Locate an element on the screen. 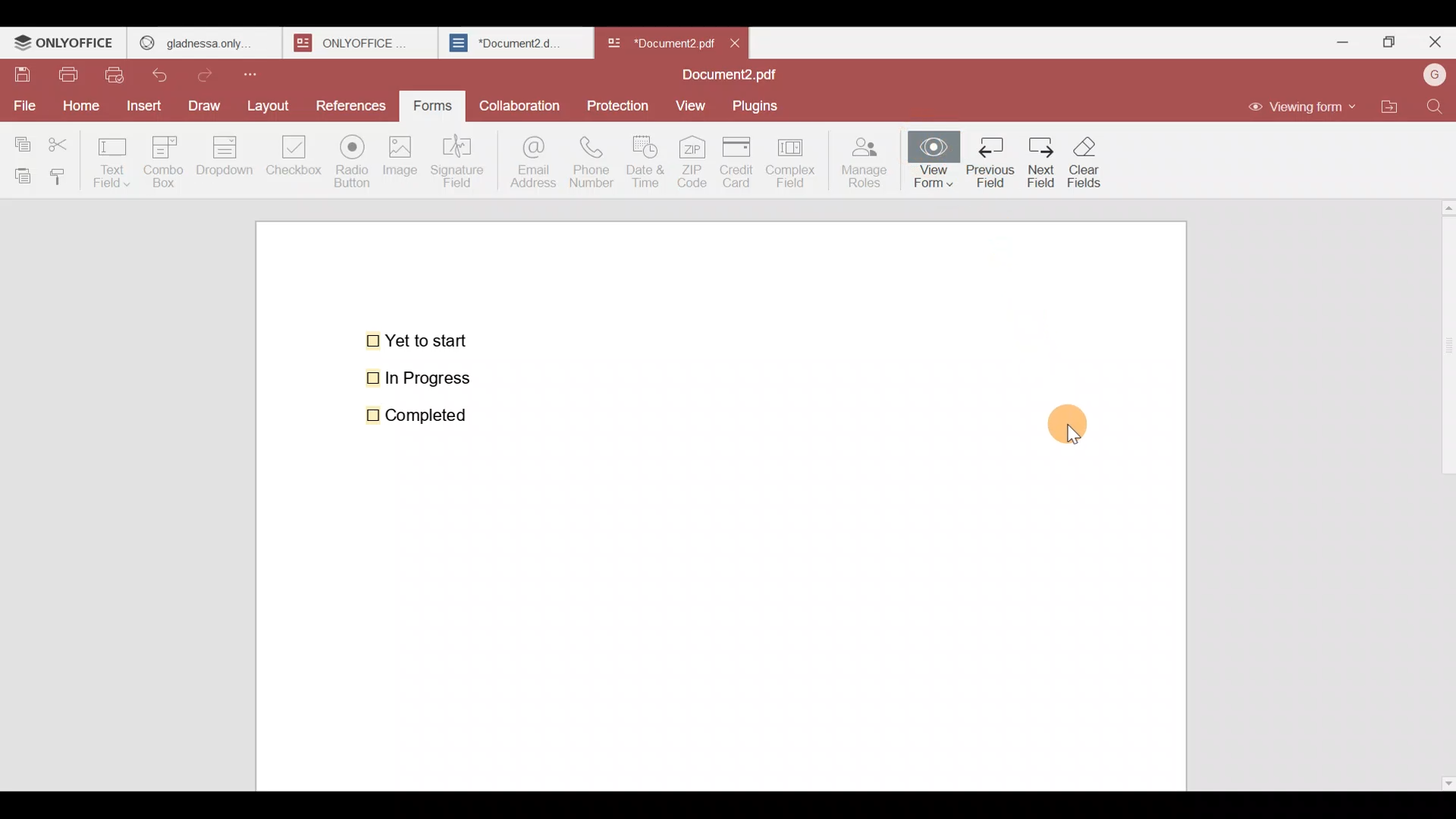  Text field is located at coordinates (115, 158).